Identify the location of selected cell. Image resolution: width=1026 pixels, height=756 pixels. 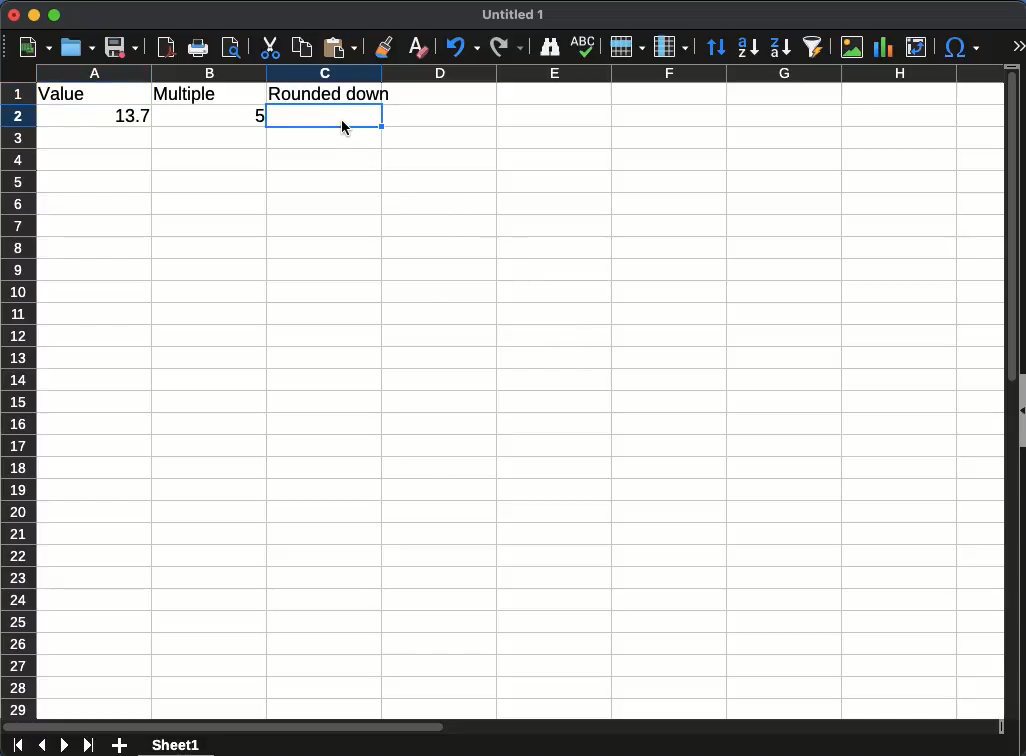
(326, 116).